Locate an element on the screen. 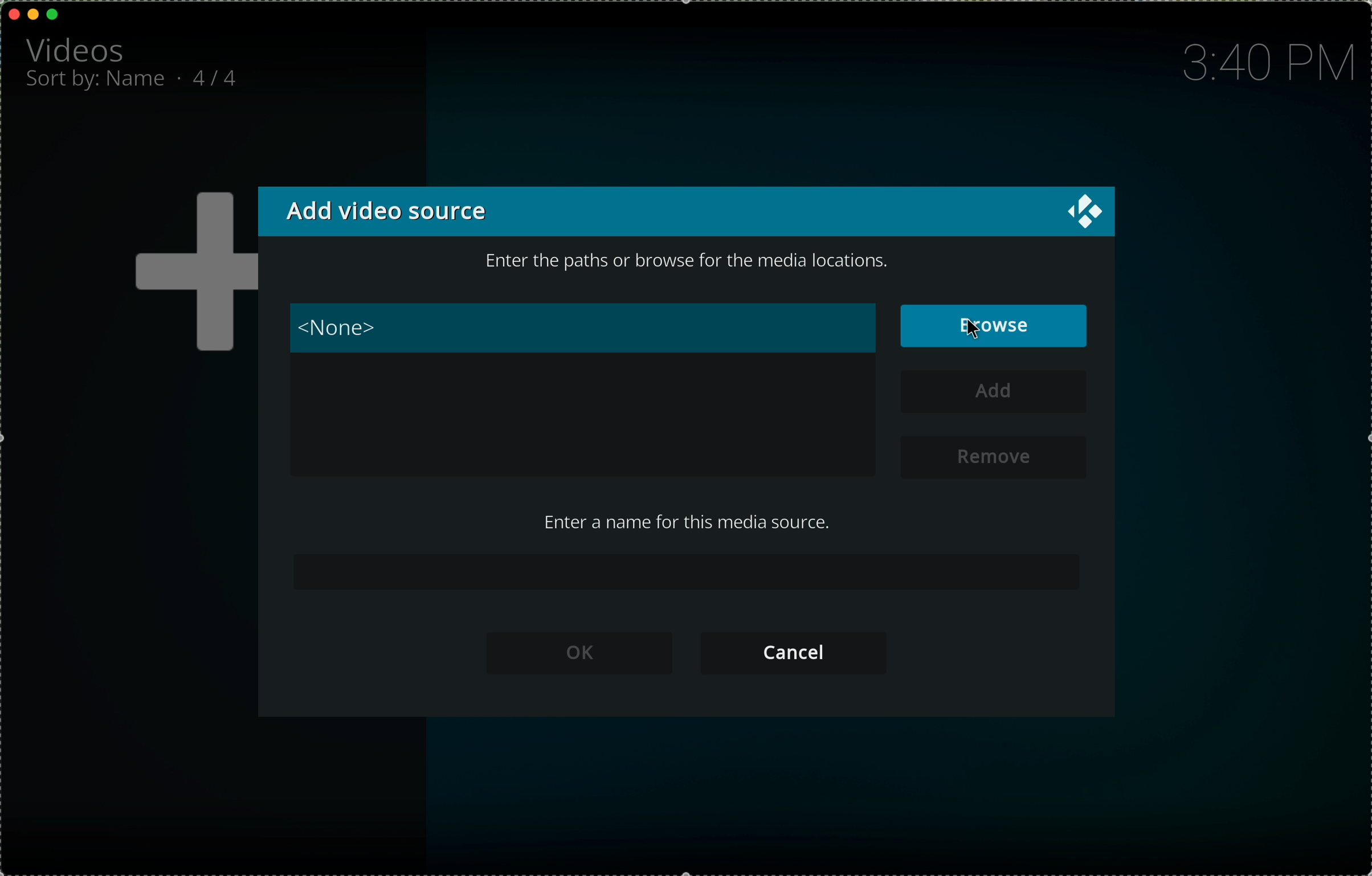  time is located at coordinates (1265, 63).